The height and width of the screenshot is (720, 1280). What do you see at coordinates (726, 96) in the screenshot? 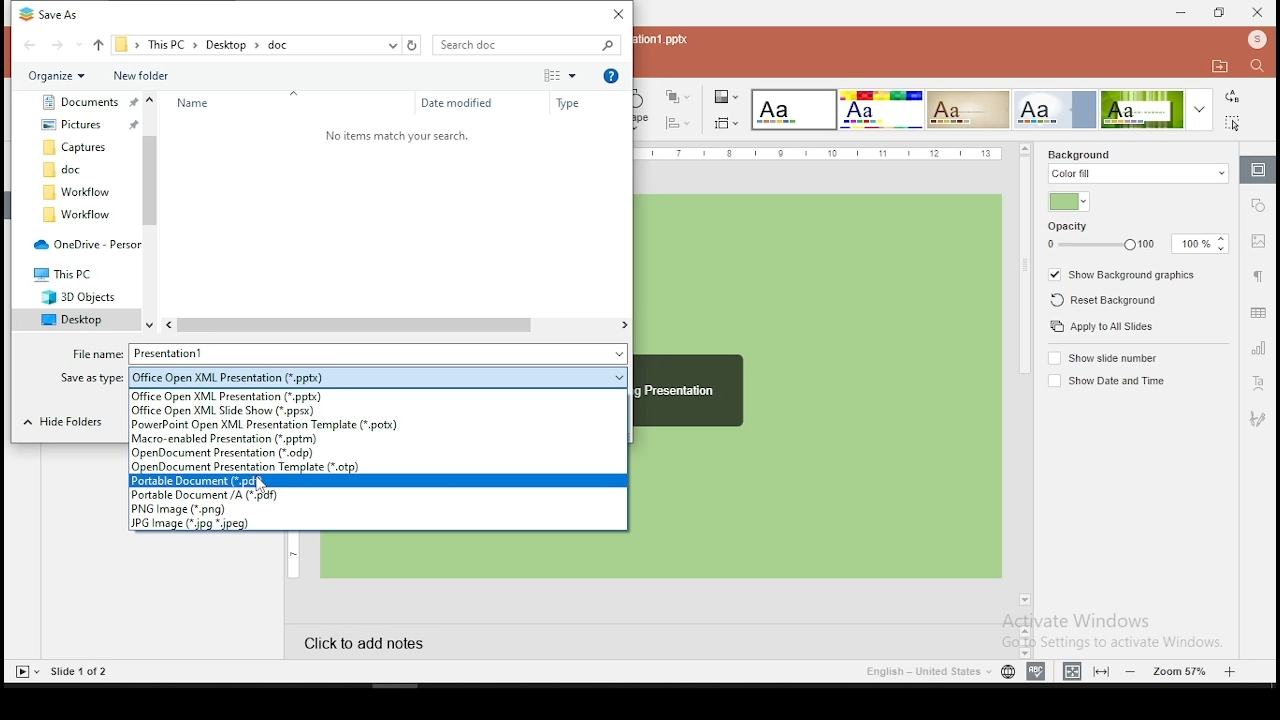
I see `change color theme` at bounding box center [726, 96].